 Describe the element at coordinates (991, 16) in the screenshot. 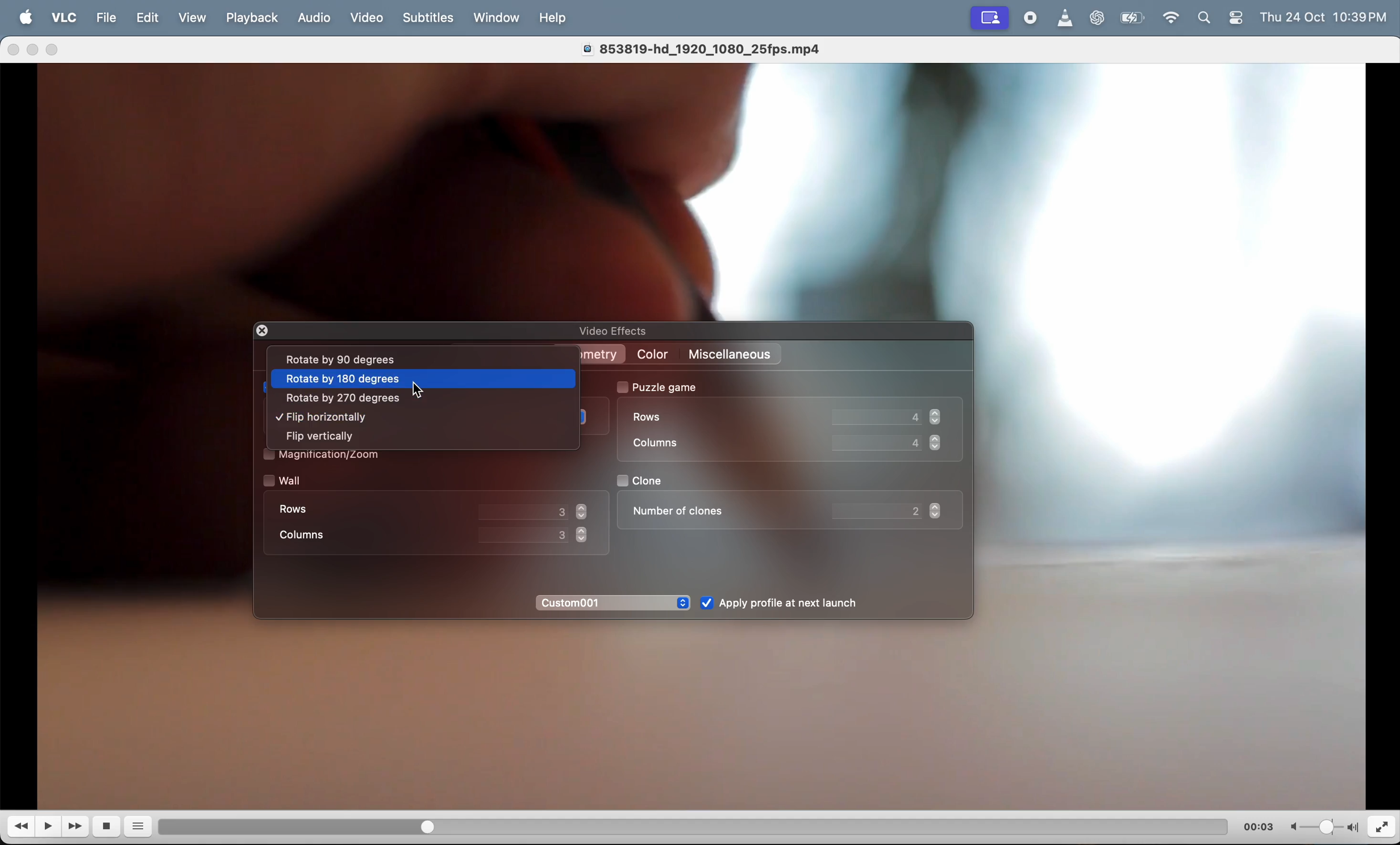

I see `recording window` at that location.